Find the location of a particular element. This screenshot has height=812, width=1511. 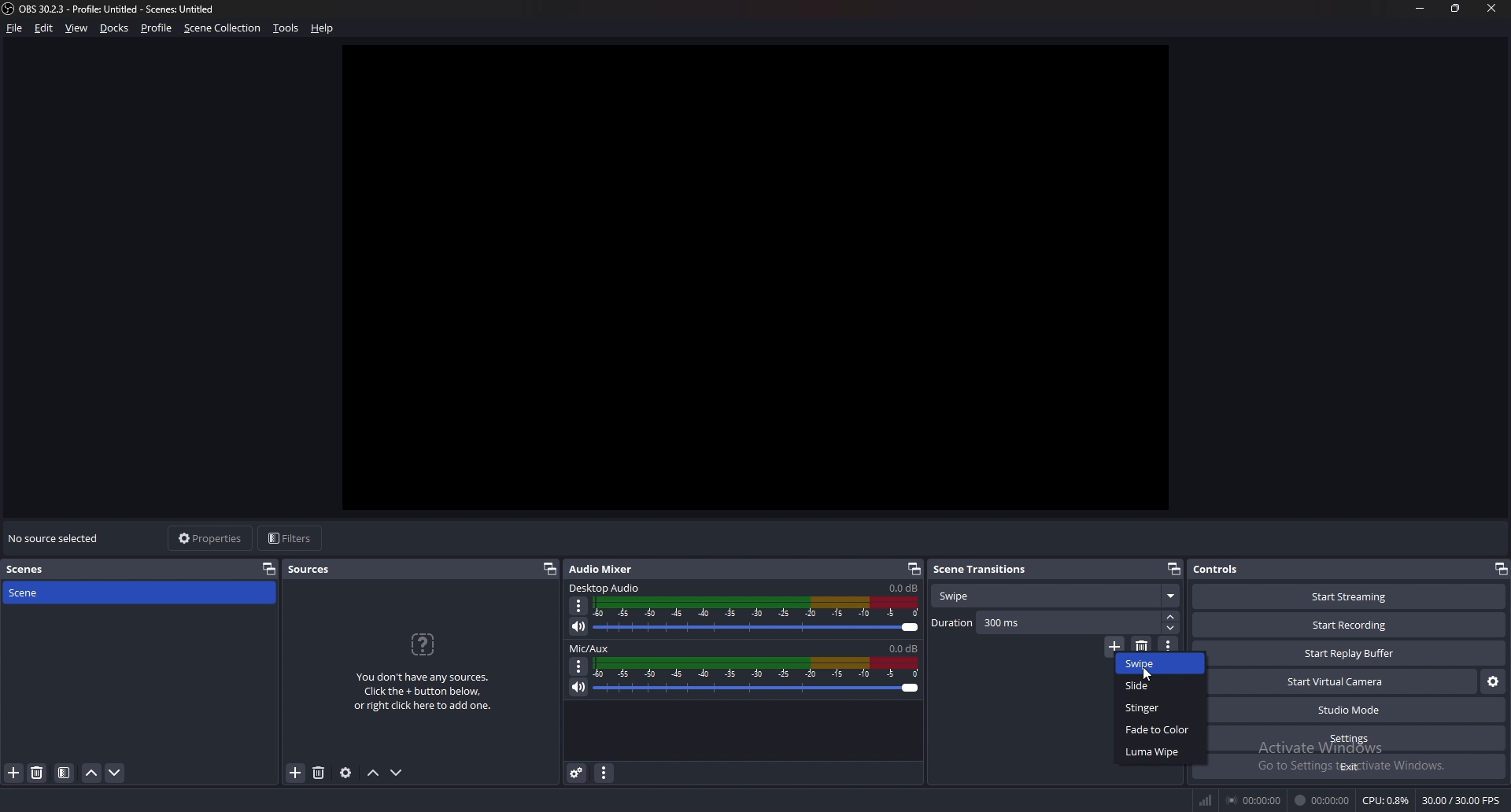

sources is located at coordinates (310, 570).